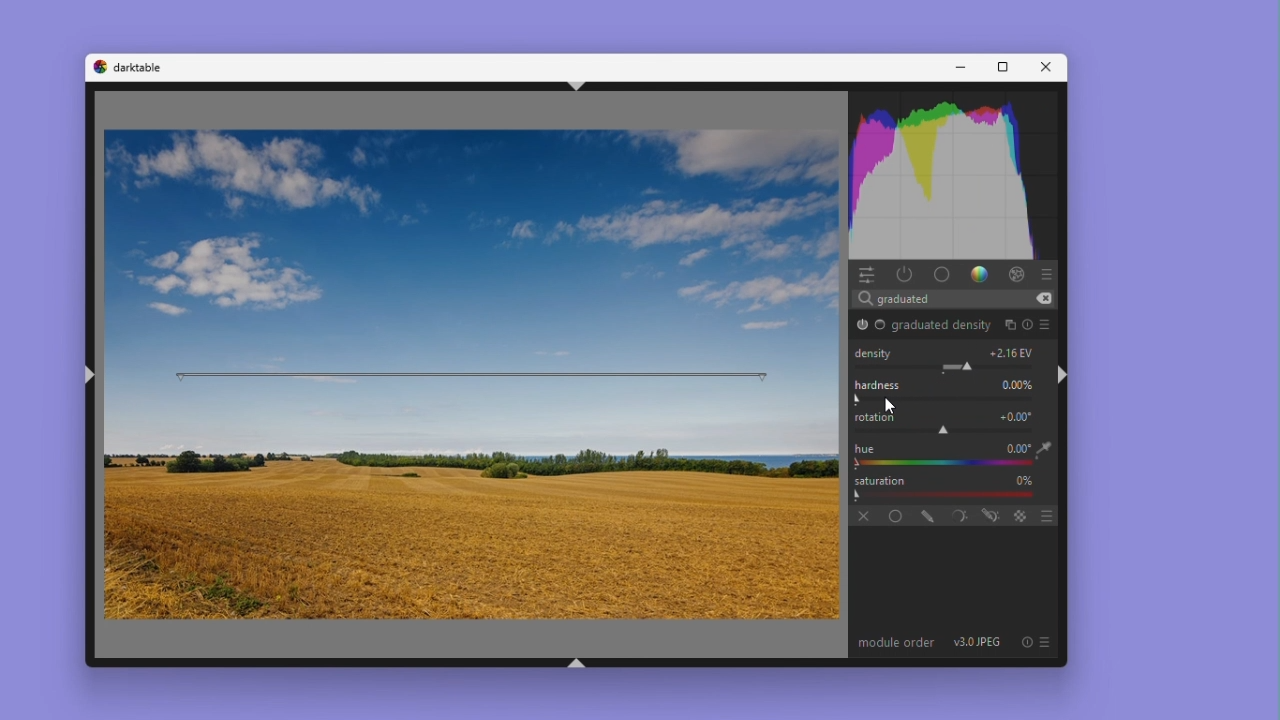  Describe the element at coordinates (578, 665) in the screenshot. I see `shift+ctrl+b` at that location.